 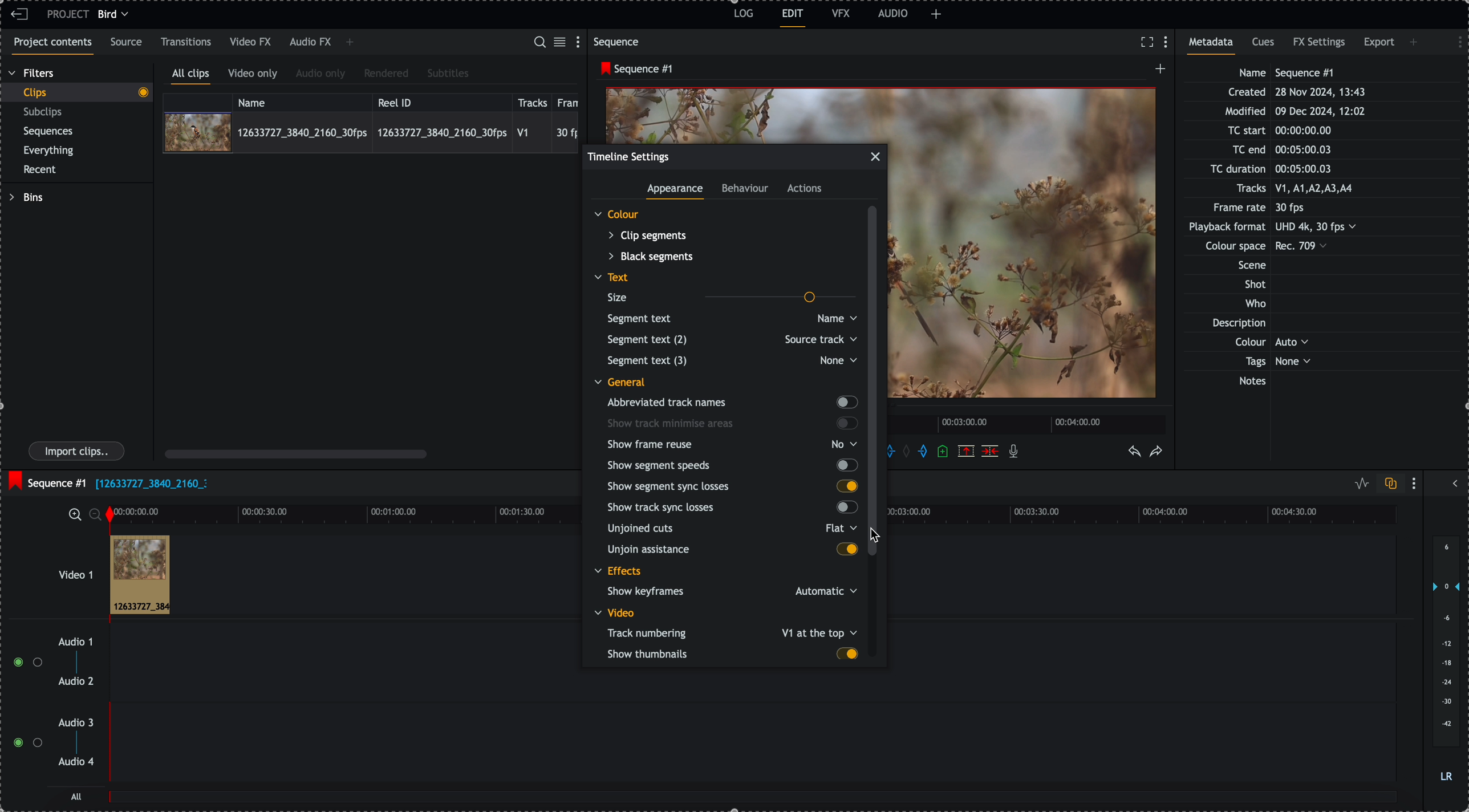 What do you see at coordinates (48, 133) in the screenshot?
I see `sequences` at bounding box center [48, 133].